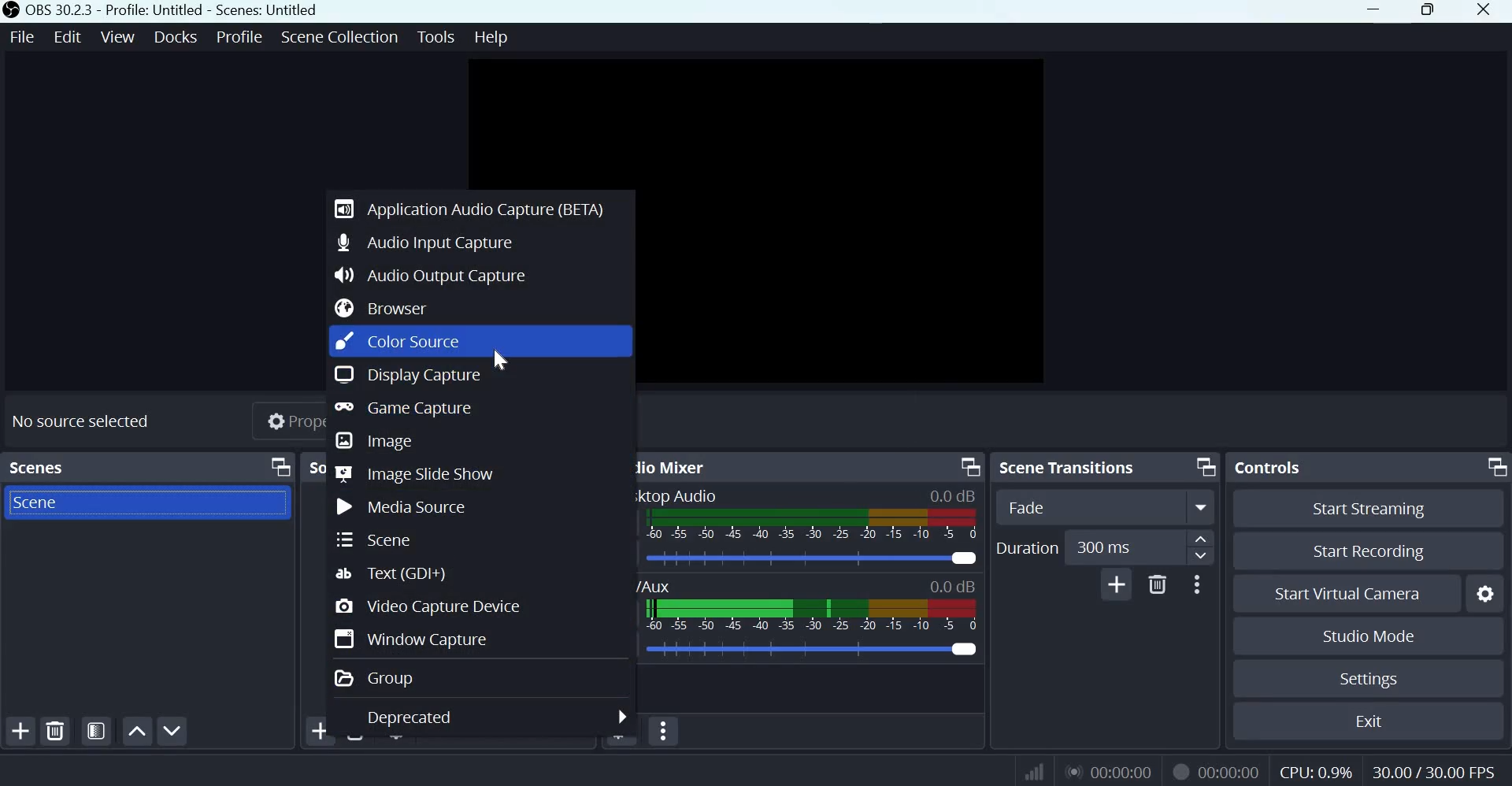  I want to click on Dock Options icon, so click(1202, 466).